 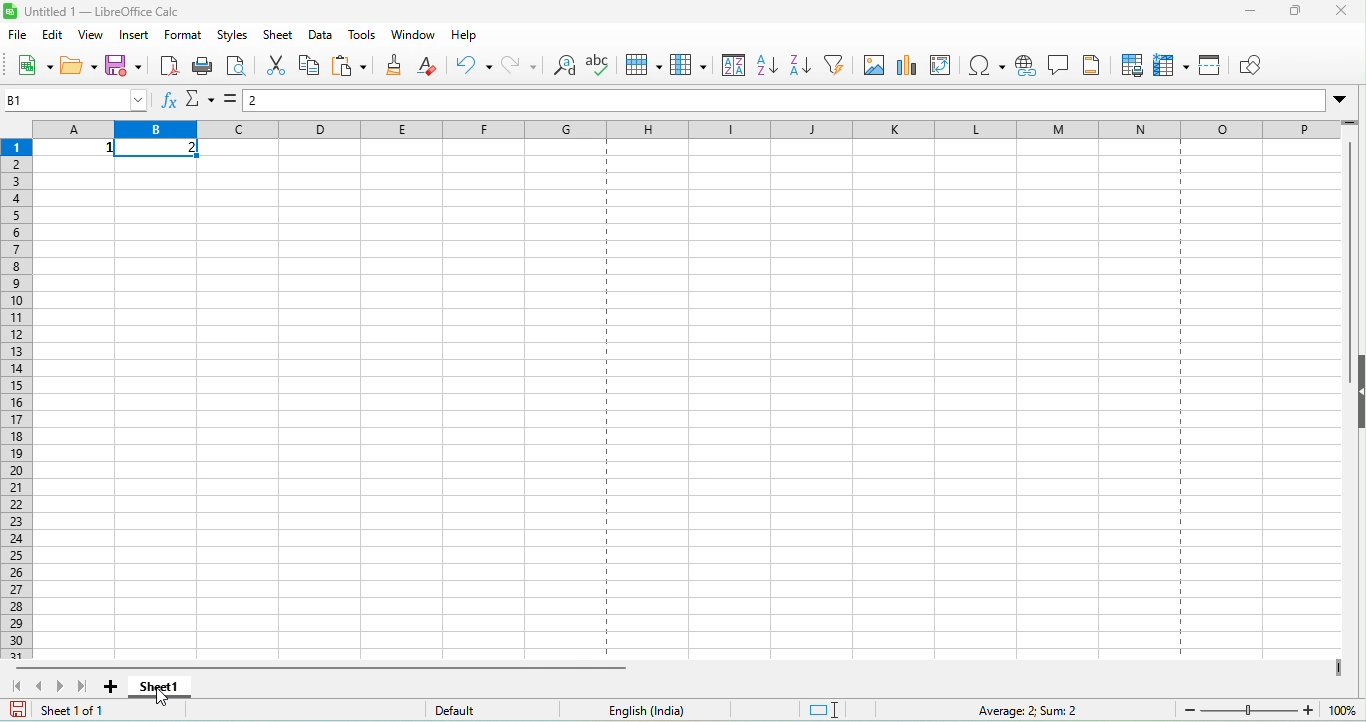 I want to click on help, so click(x=468, y=37).